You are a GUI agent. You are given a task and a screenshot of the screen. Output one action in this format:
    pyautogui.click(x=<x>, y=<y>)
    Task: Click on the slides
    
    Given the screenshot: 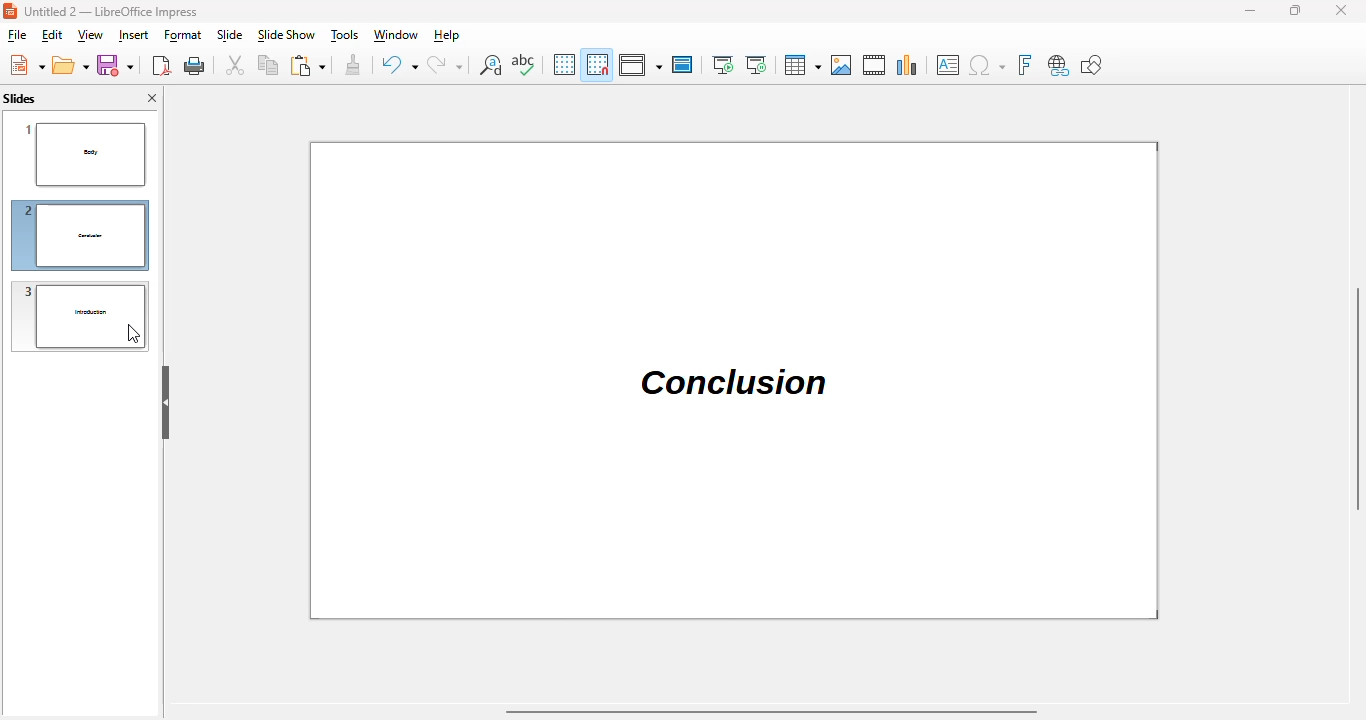 What is the action you would take?
    pyautogui.click(x=19, y=99)
    